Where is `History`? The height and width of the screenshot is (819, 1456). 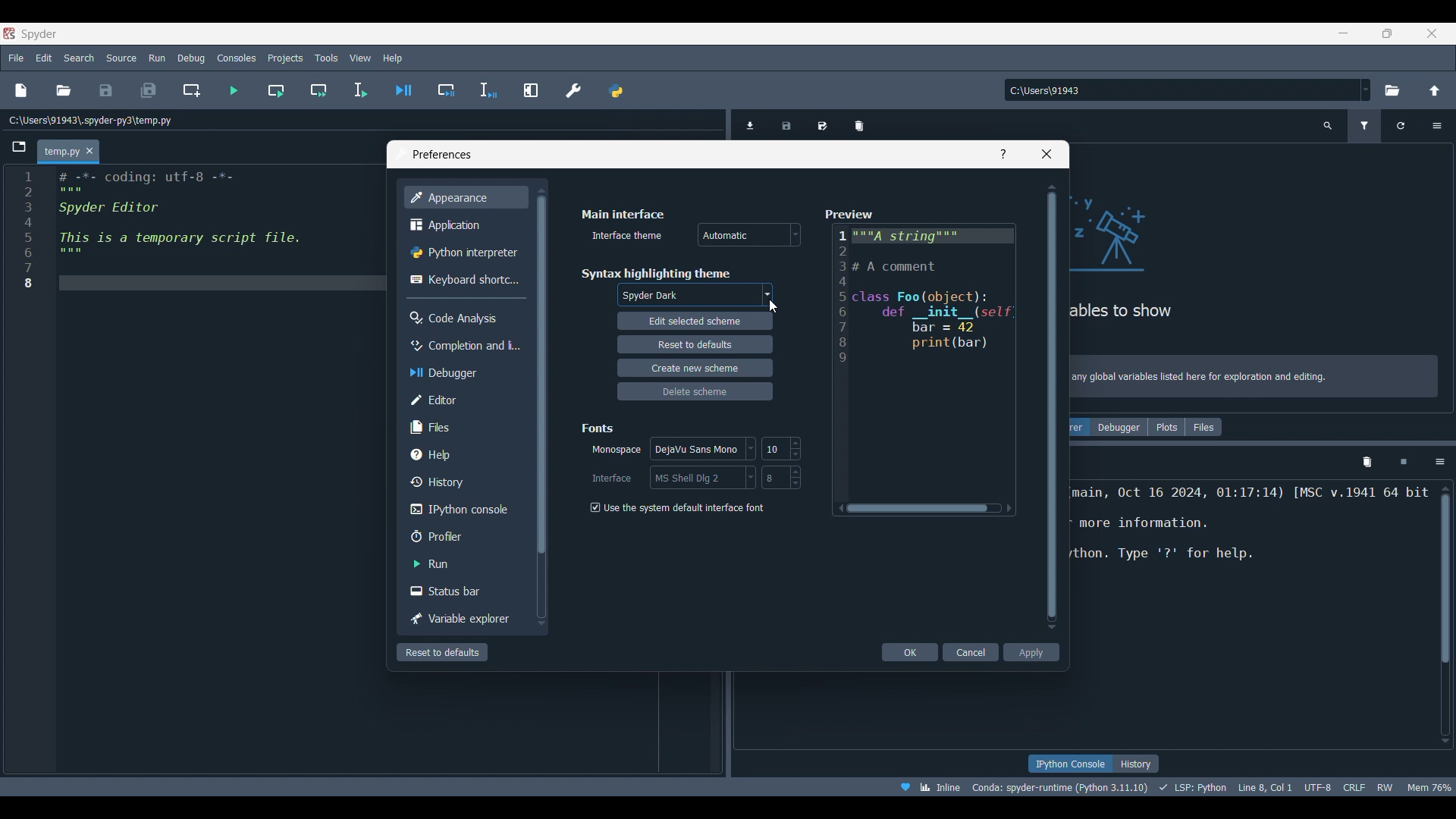
History is located at coordinates (464, 482).